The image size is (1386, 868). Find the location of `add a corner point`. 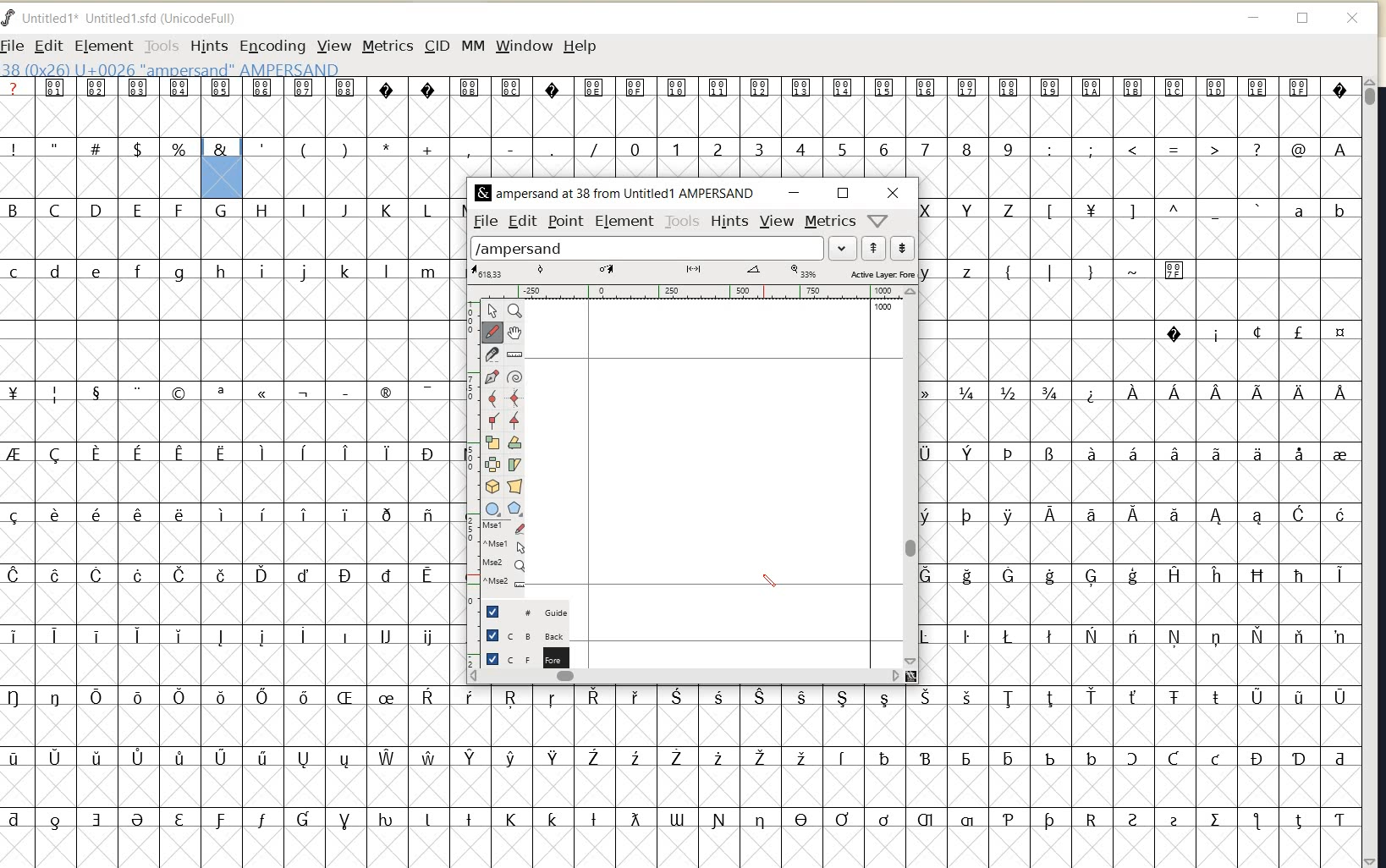

add a corner point is located at coordinates (492, 419).